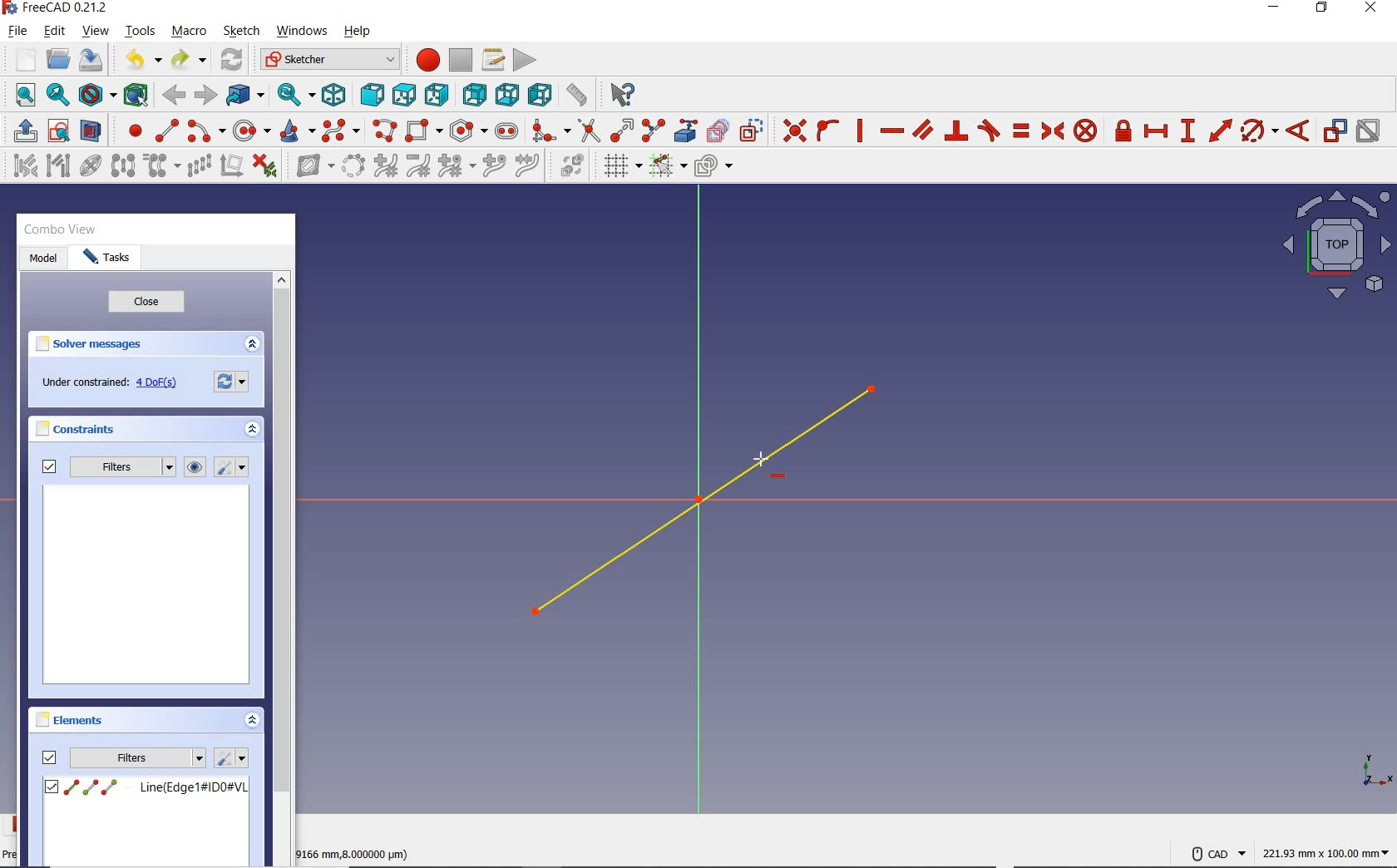  What do you see at coordinates (69, 719) in the screenshot?
I see `ELEMENTS` at bounding box center [69, 719].